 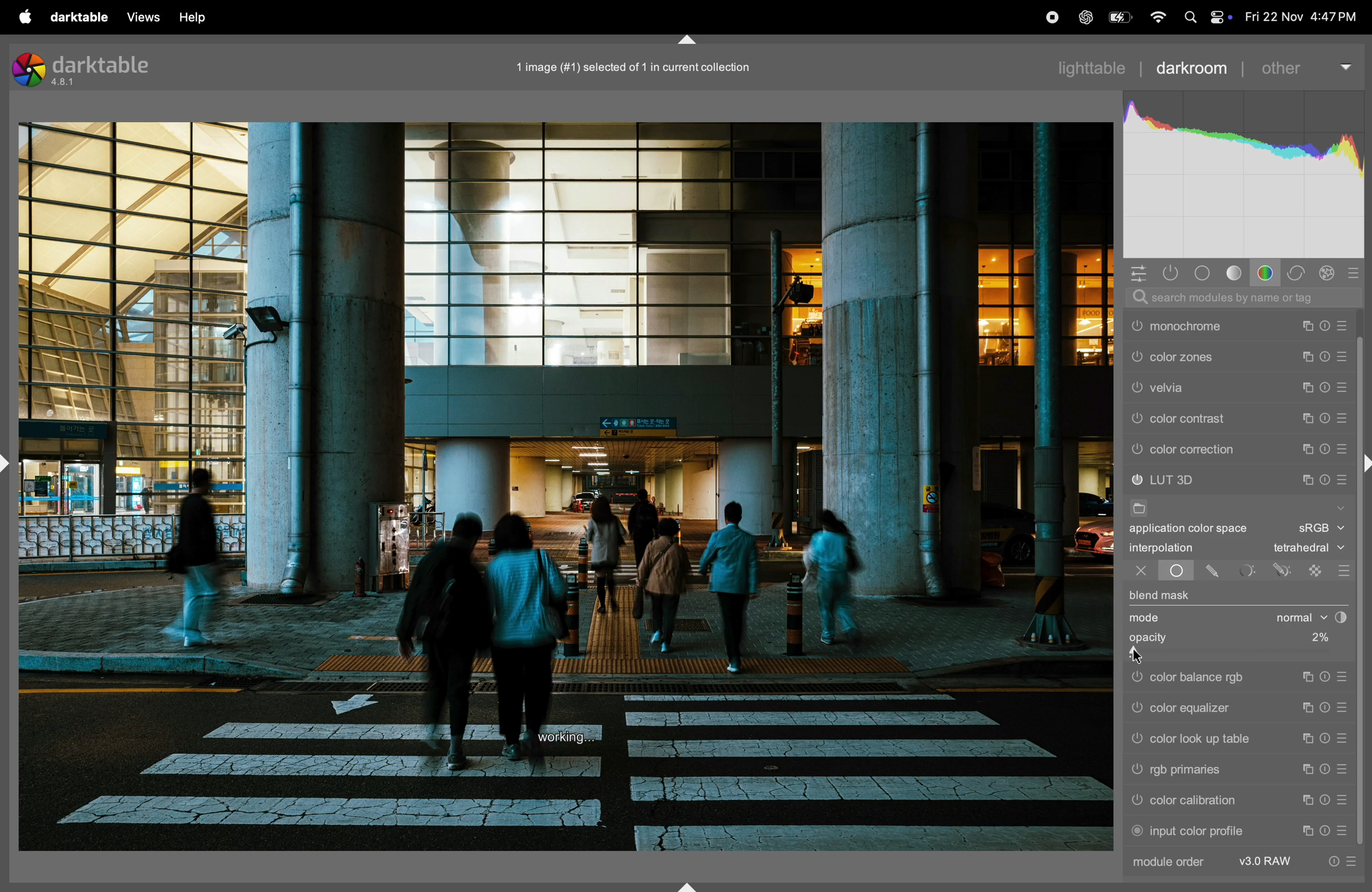 I want to click on reset, so click(x=1326, y=678).